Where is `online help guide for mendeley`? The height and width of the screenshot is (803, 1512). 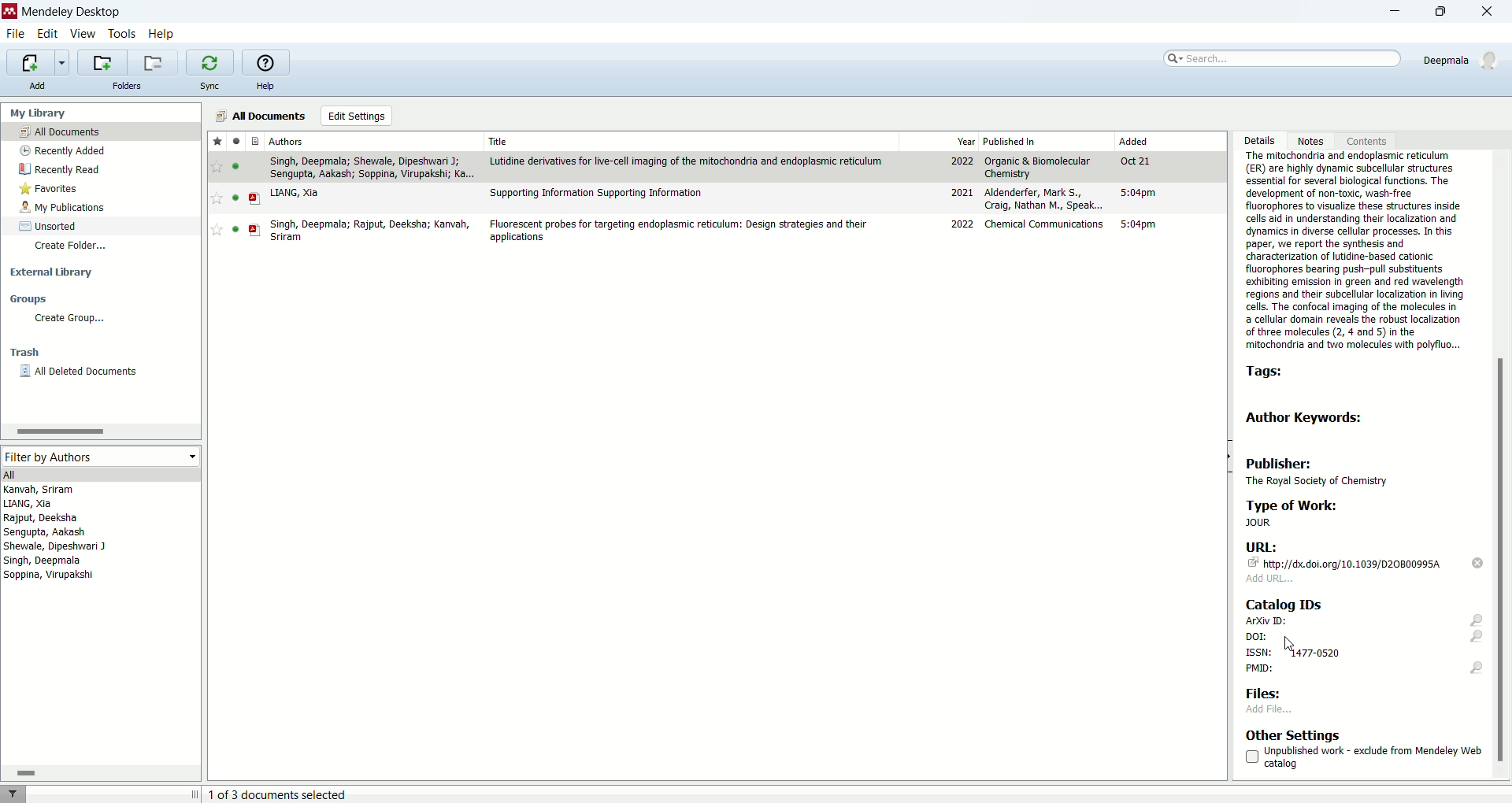
online help guide for mendeley is located at coordinates (264, 61).